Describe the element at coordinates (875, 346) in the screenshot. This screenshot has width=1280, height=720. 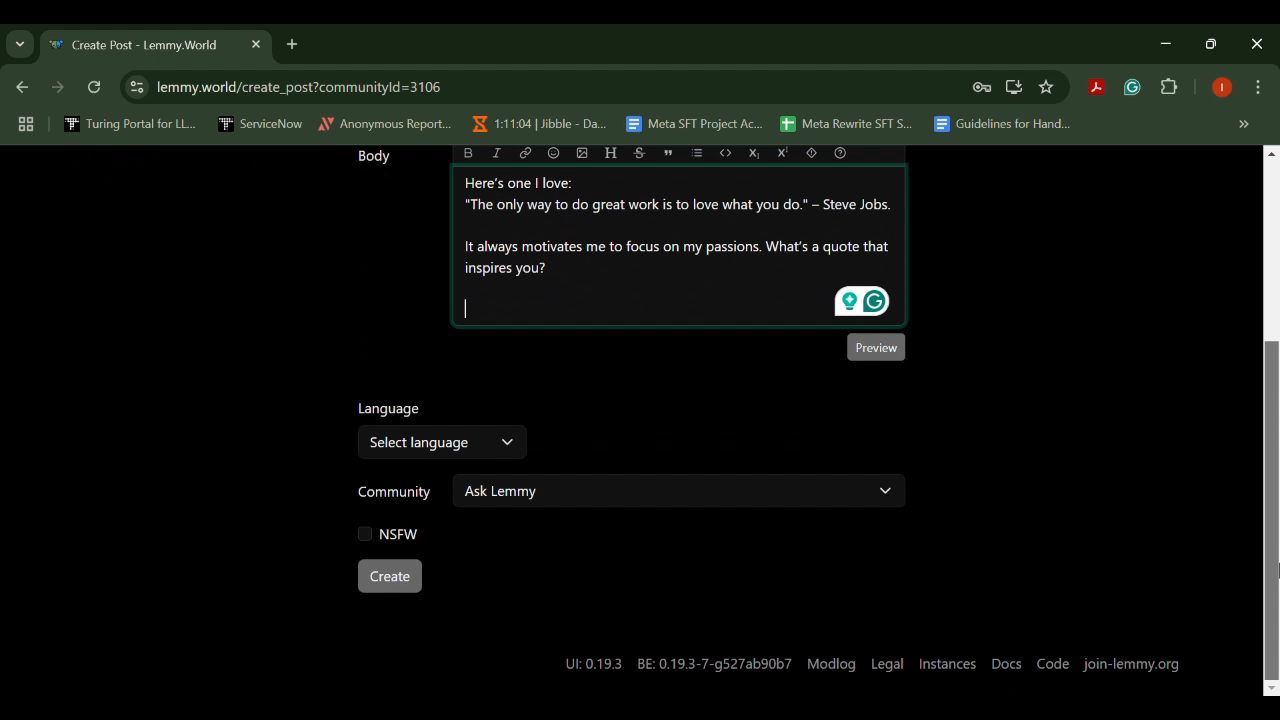
I see `Preview` at that location.